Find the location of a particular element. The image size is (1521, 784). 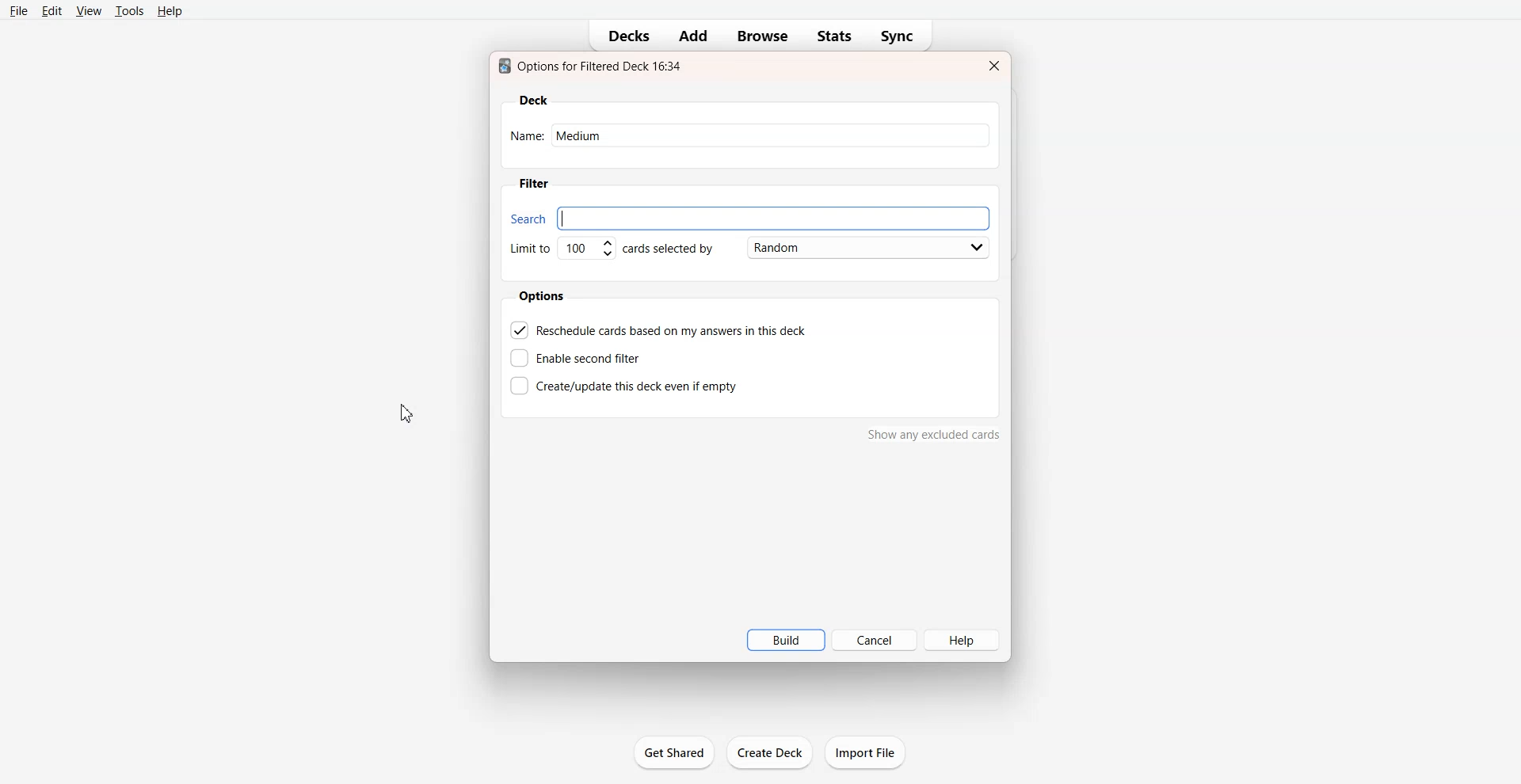

Reschedule cards based on my answer is located at coordinates (660, 329).